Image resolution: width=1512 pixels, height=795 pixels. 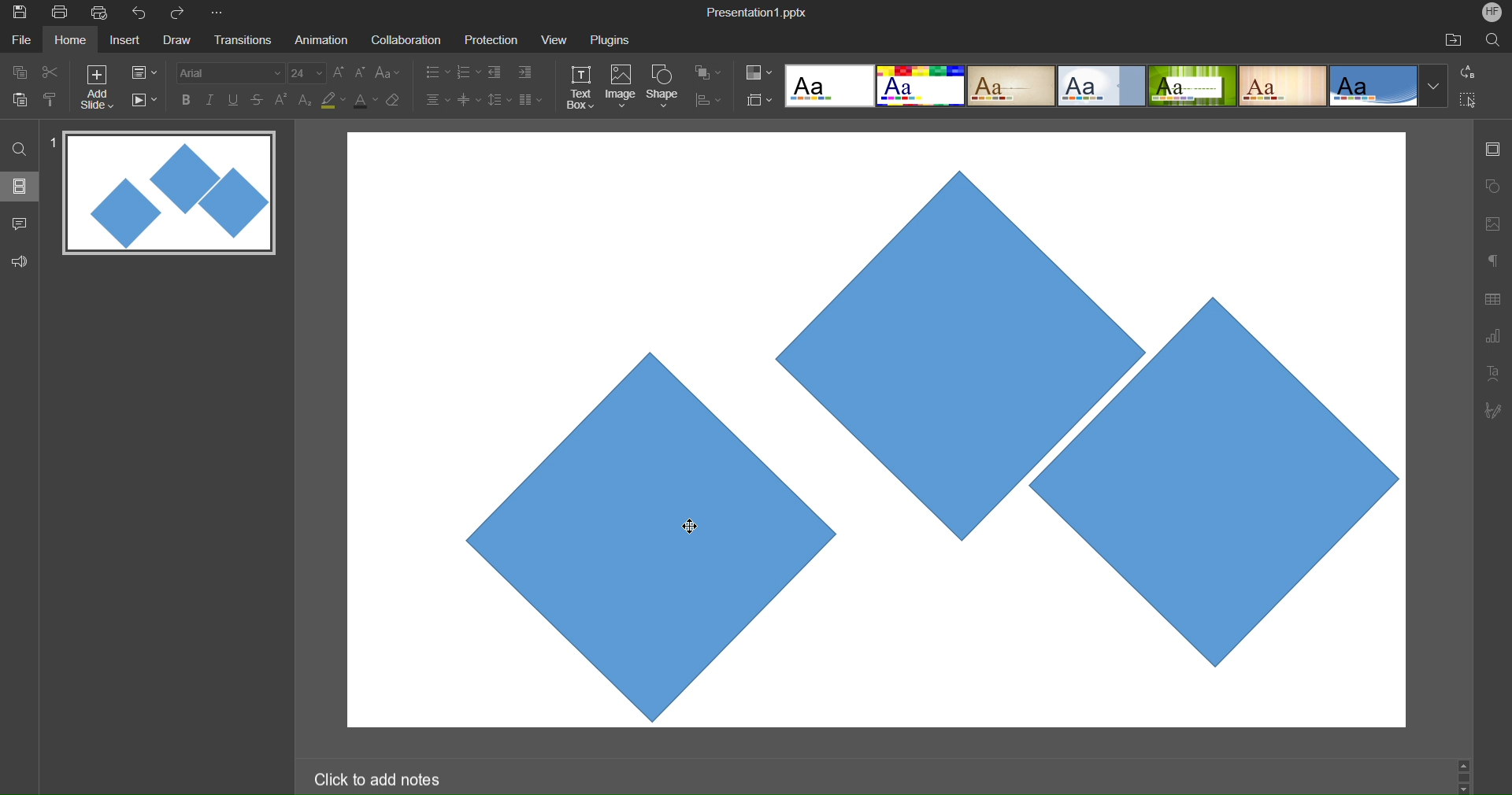 I want to click on Format painter, so click(x=53, y=99).